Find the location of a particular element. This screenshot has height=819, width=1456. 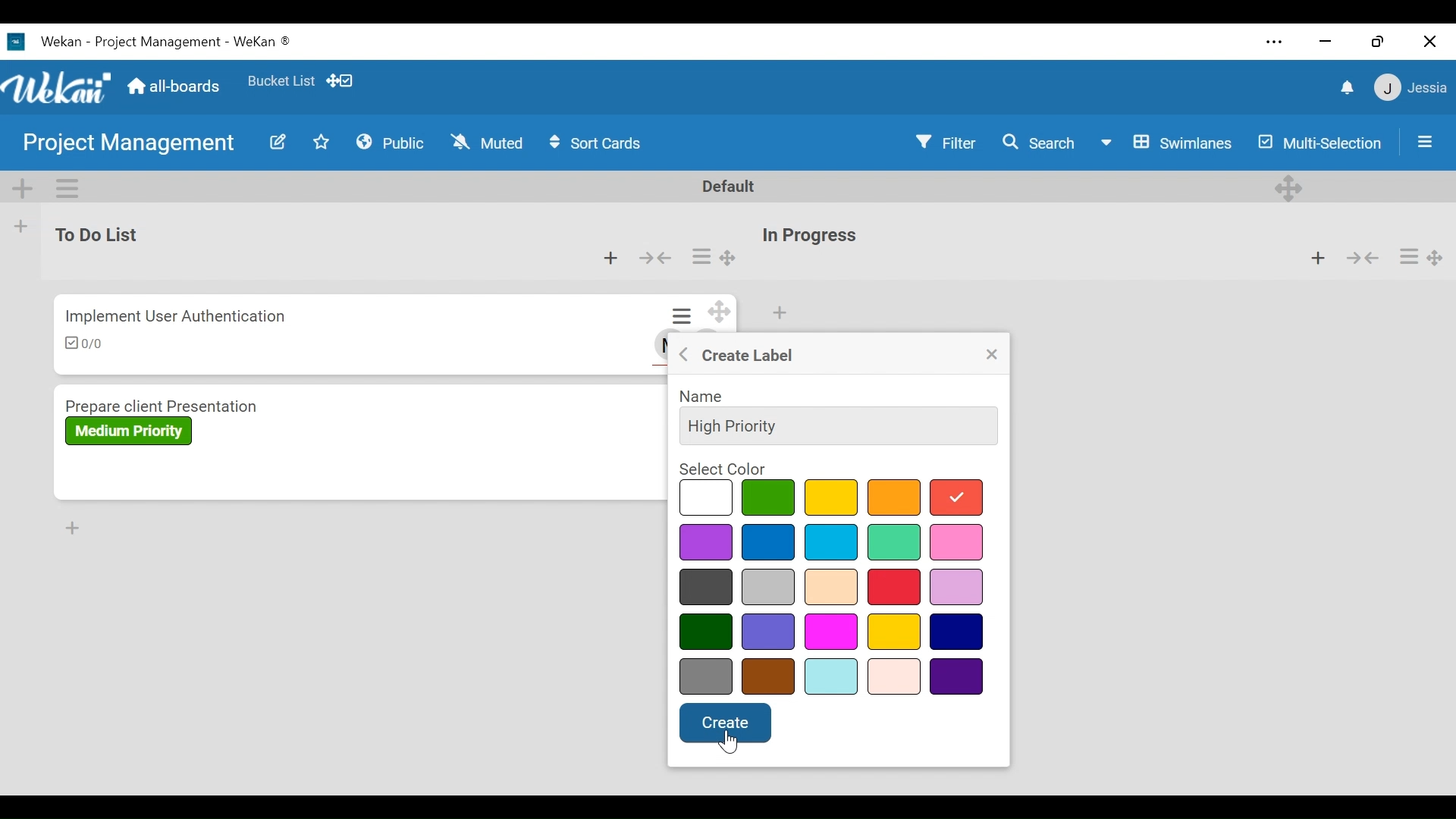

Sort Cards is located at coordinates (601, 143).